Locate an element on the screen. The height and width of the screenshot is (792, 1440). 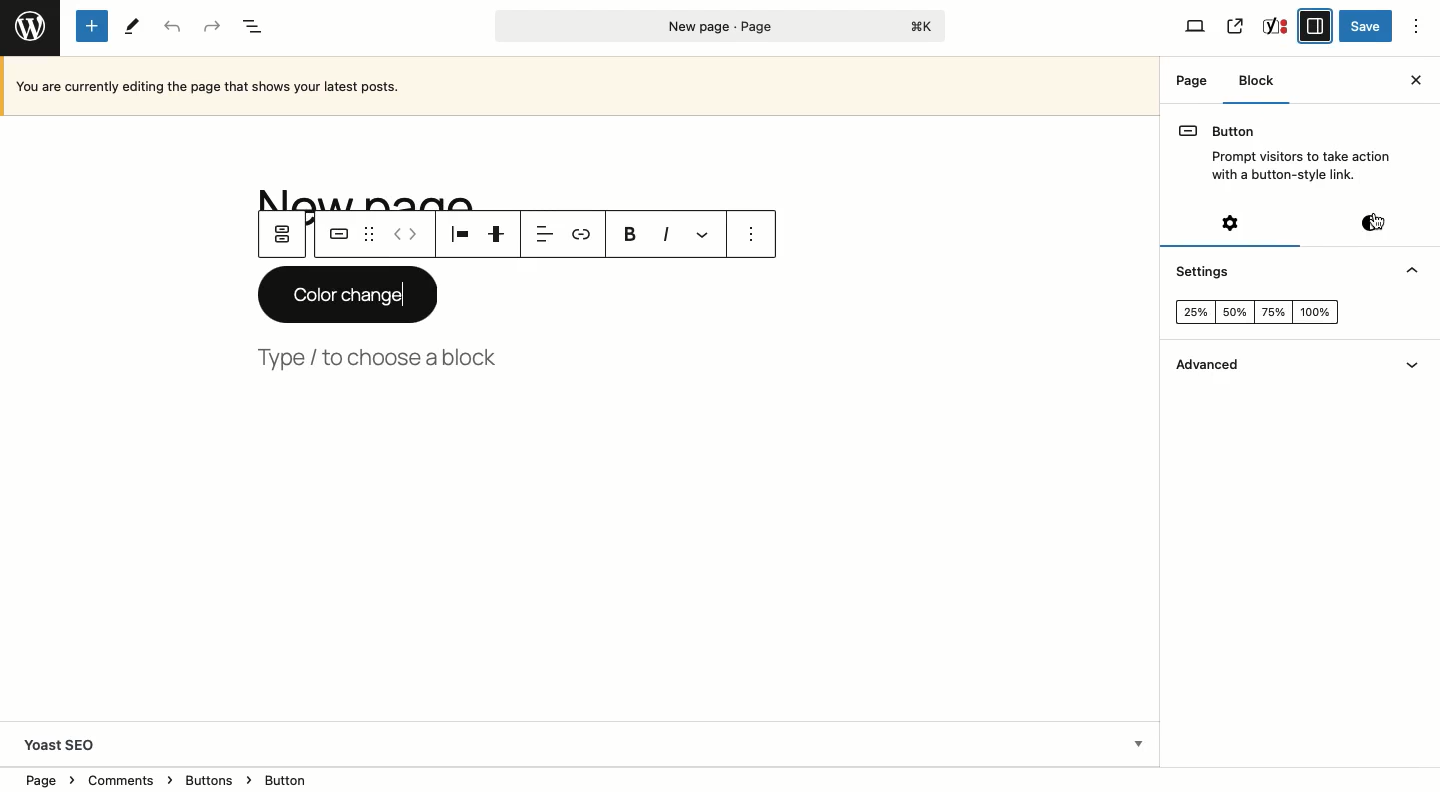
Button is located at coordinates (336, 234).